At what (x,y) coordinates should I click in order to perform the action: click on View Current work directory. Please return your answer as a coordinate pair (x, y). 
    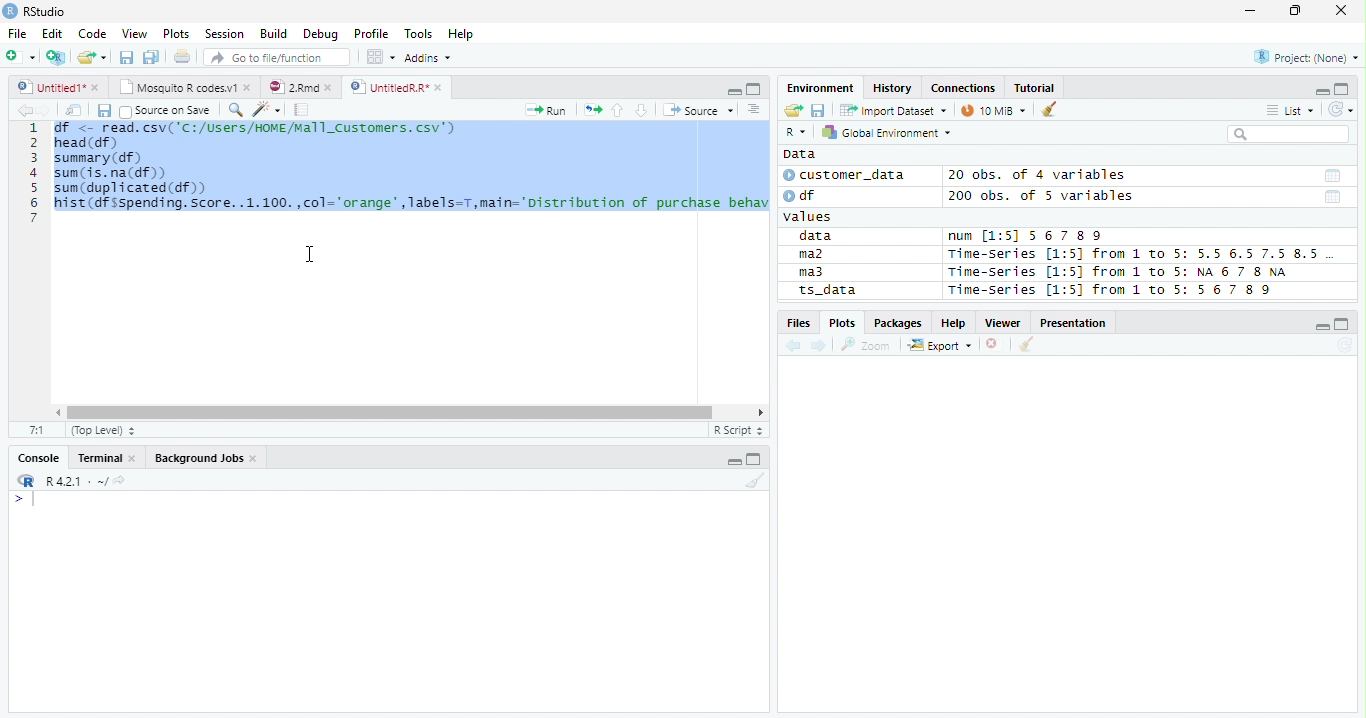
    Looking at the image, I should click on (121, 480).